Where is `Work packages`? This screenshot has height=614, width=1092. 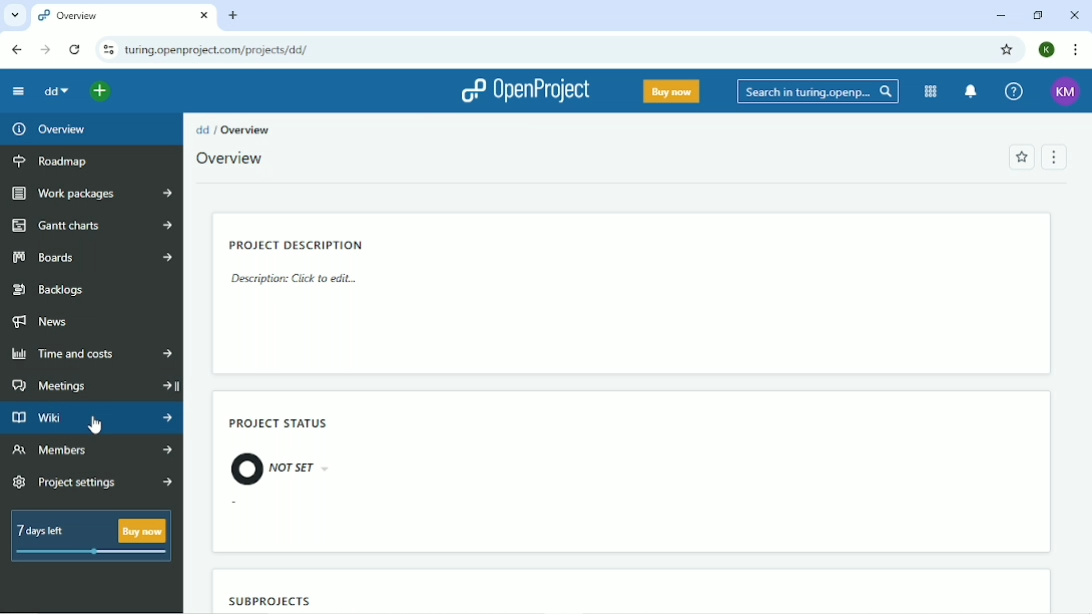 Work packages is located at coordinates (92, 193).